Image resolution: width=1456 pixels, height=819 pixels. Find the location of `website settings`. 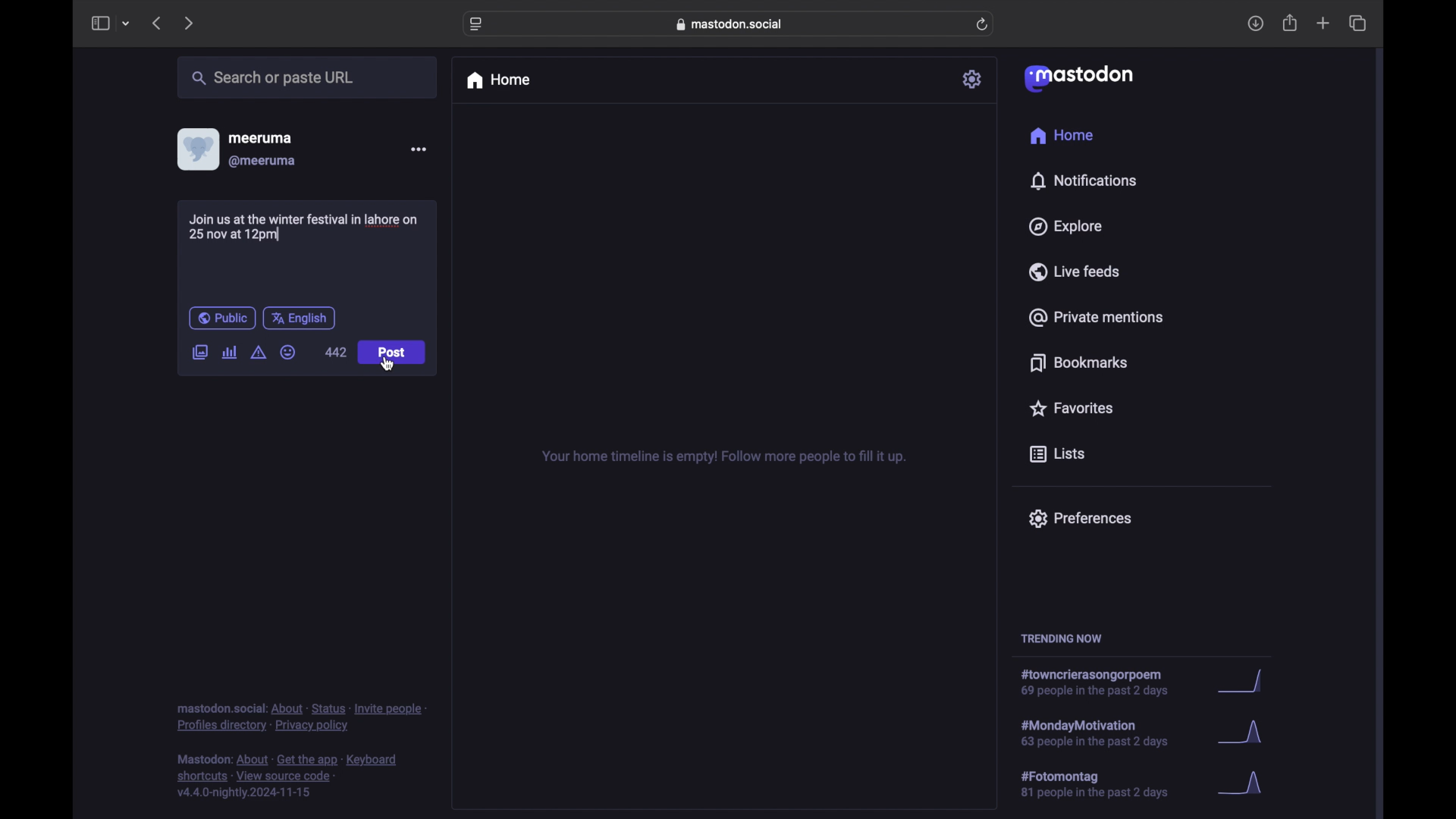

website settings is located at coordinates (478, 24).